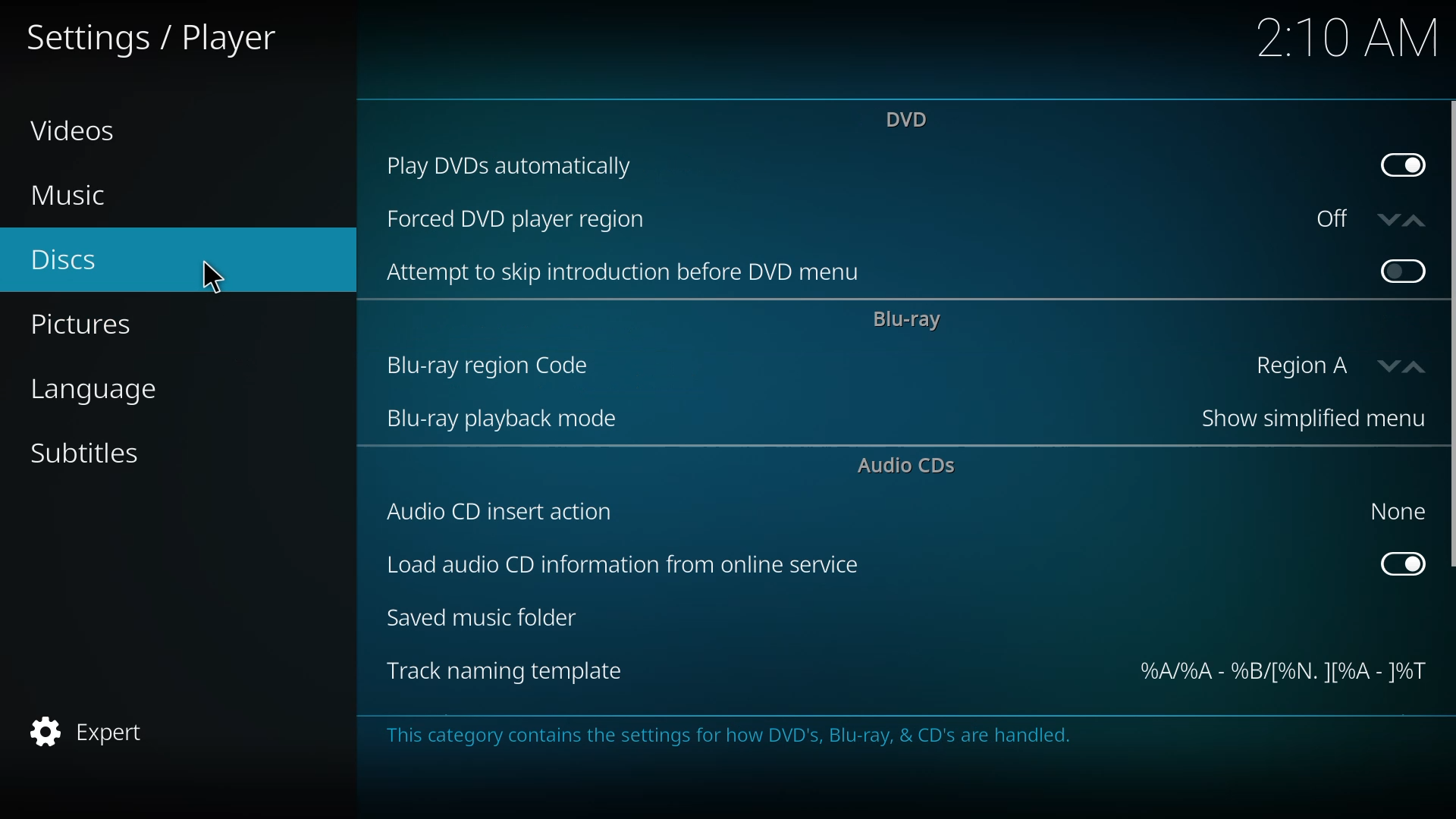  Describe the element at coordinates (1304, 416) in the screenshot. I see `show simplified menu` at that location.